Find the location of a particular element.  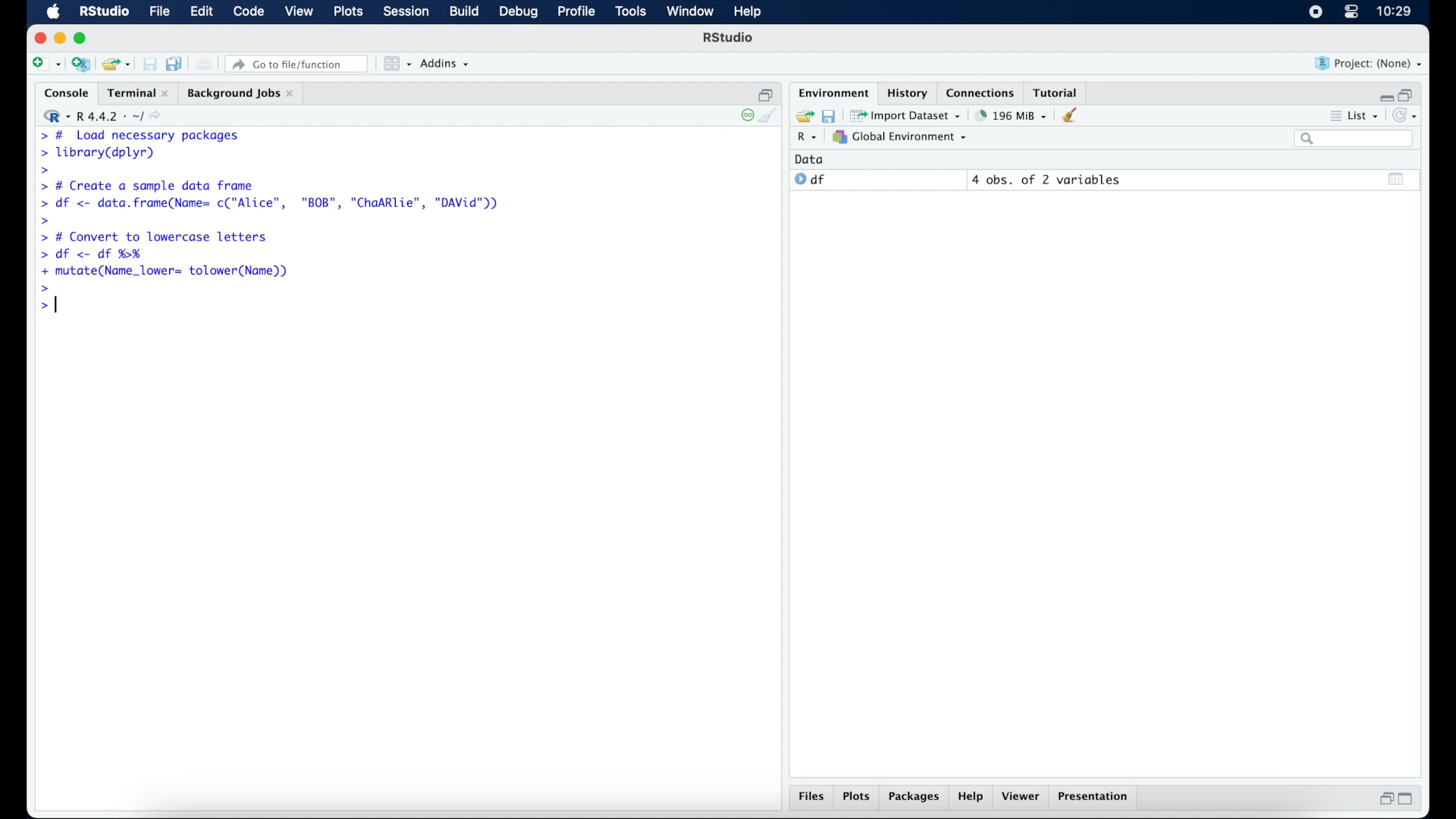

maximize is located at coordinates (83, 38).